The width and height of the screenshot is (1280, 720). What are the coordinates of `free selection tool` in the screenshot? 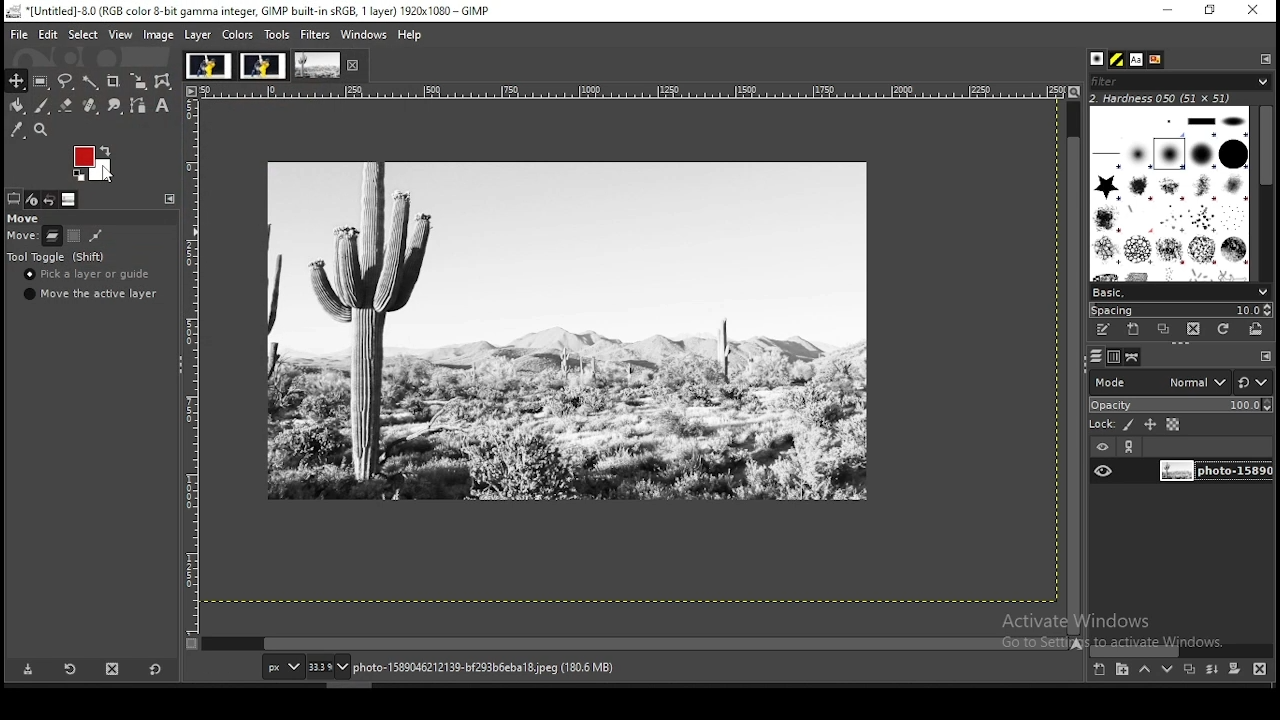 It's located at (65, 81).